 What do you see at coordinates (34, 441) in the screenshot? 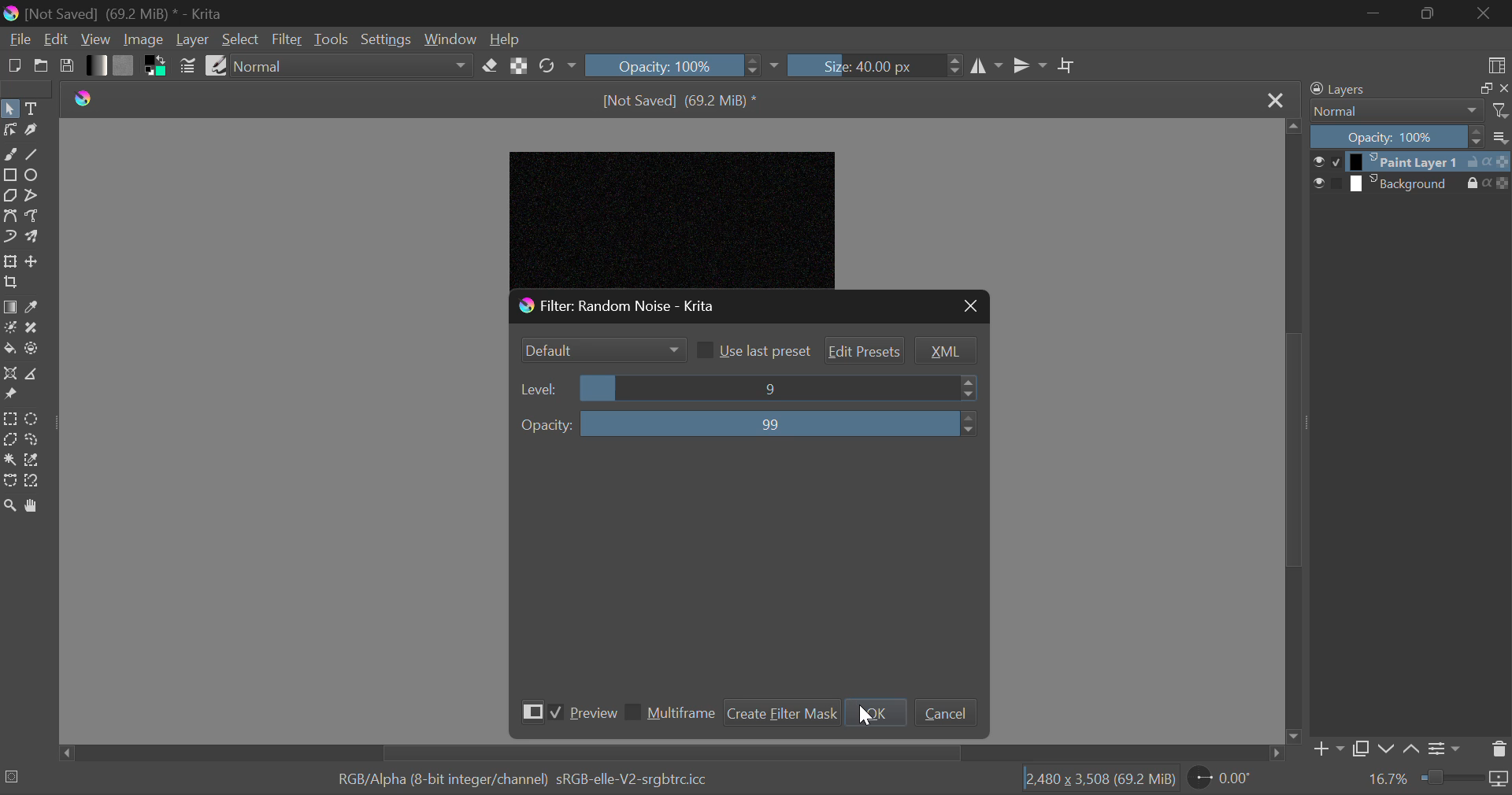
I see `Freehand Selection` at bounding box center [34, 441].